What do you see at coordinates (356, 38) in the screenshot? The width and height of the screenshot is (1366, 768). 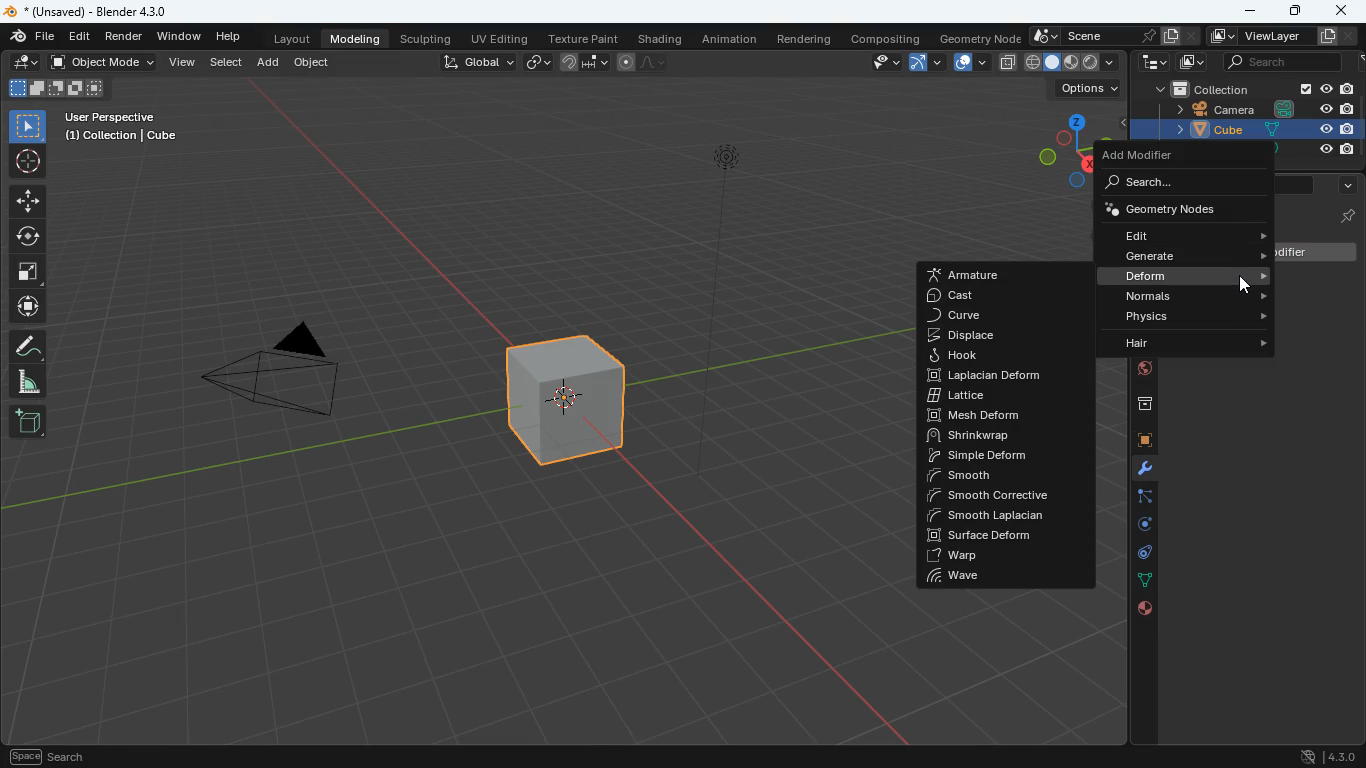 I see `modeling` at bounding box center [356, 38].